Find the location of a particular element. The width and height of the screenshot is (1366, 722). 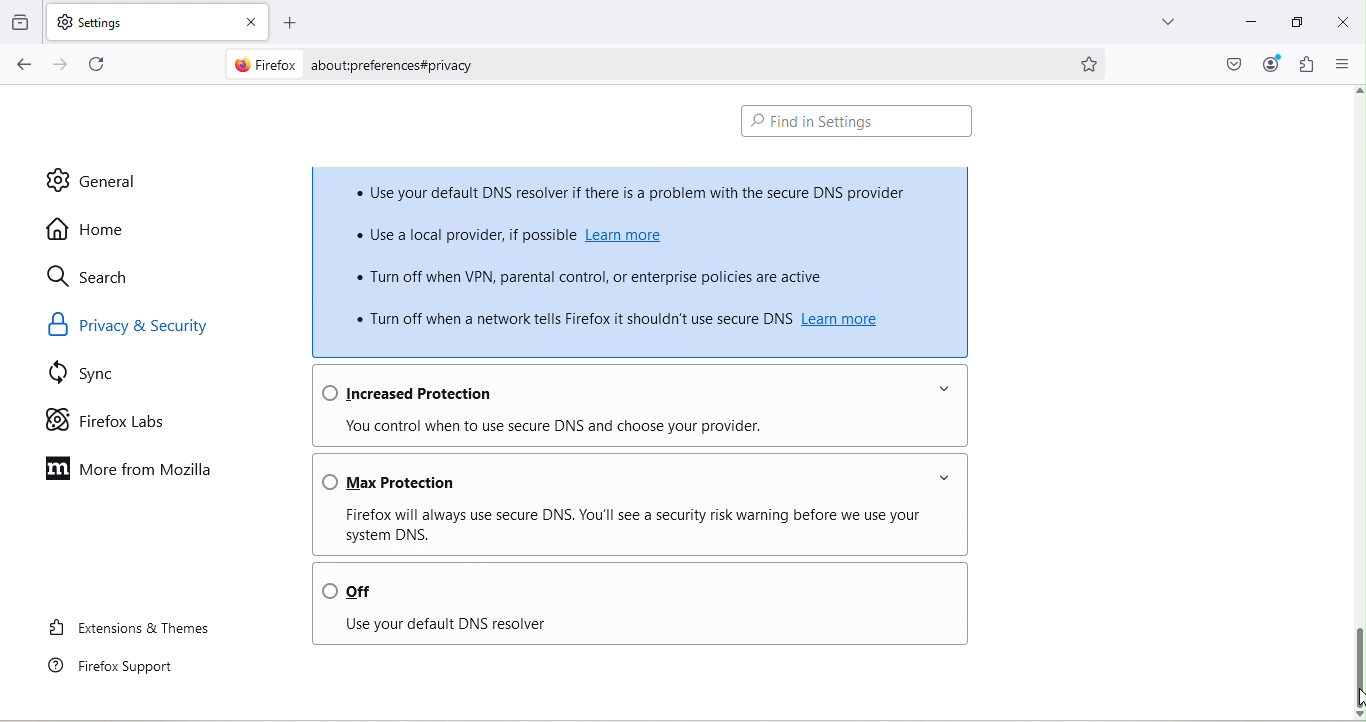

Reload current page is located at coordinates (101, 65).